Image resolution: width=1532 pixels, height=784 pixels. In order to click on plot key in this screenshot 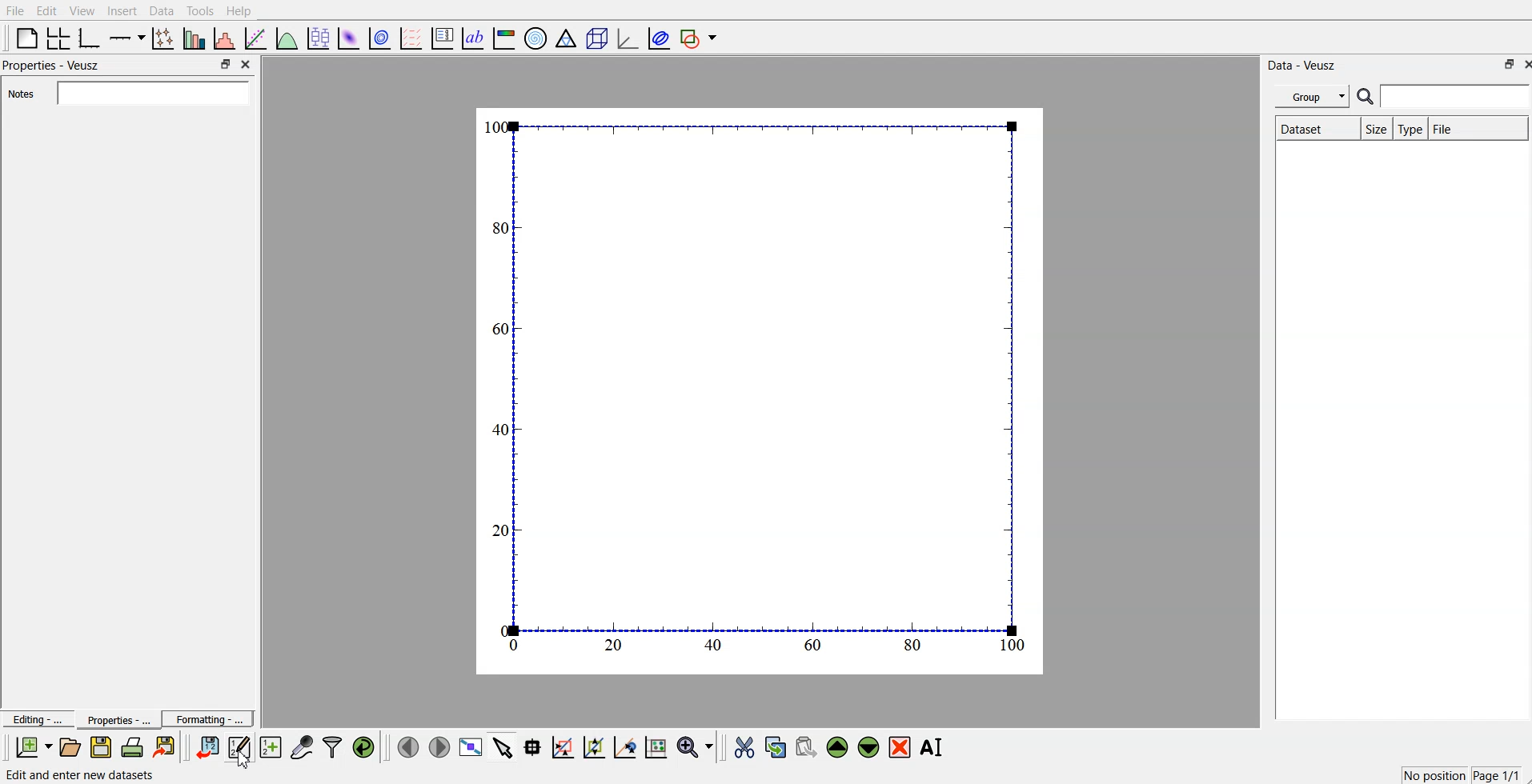, I will do `click(443, 37)`.